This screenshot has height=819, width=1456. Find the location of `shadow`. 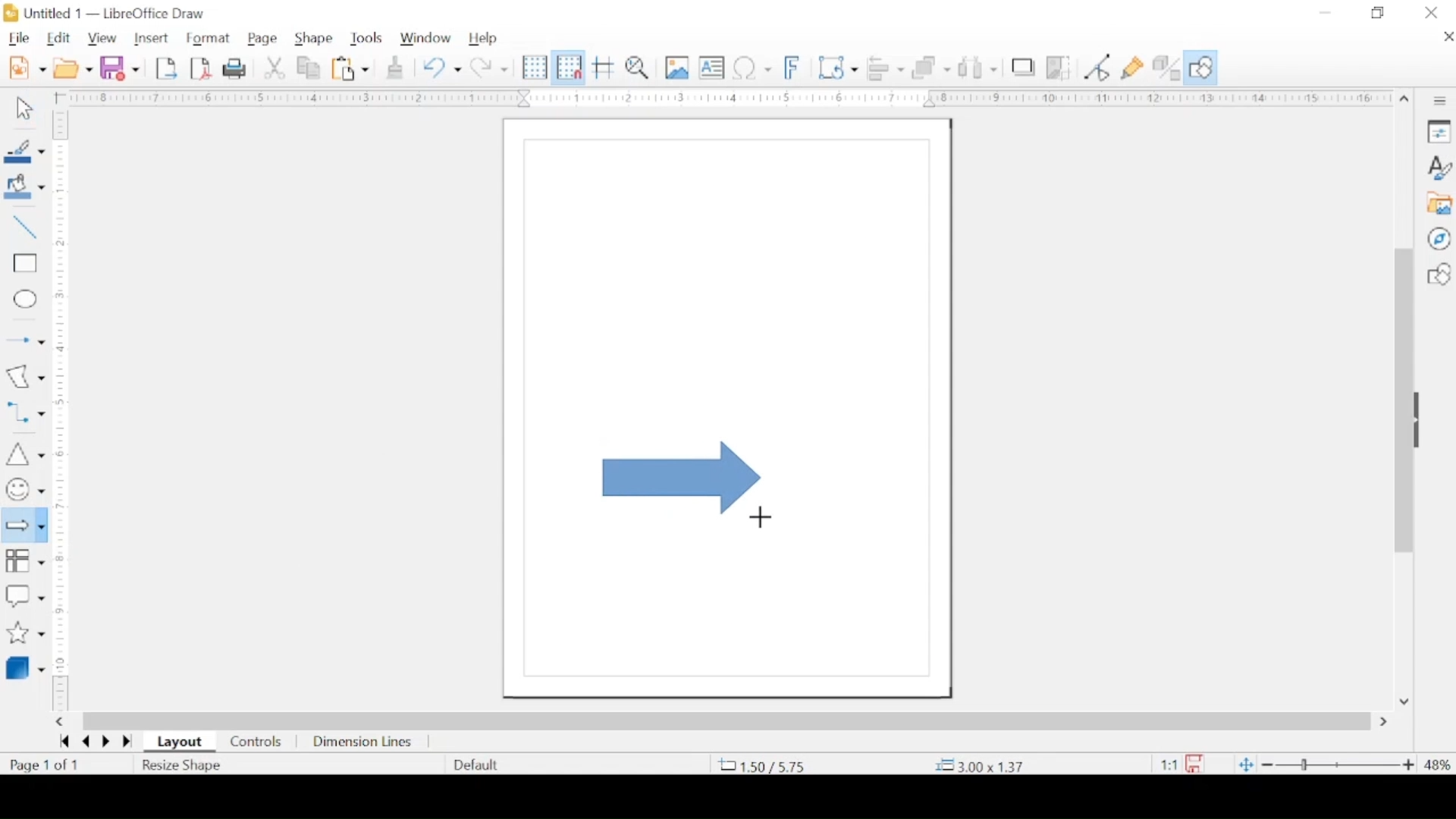

shadow is located at coordinates (1023, 65).